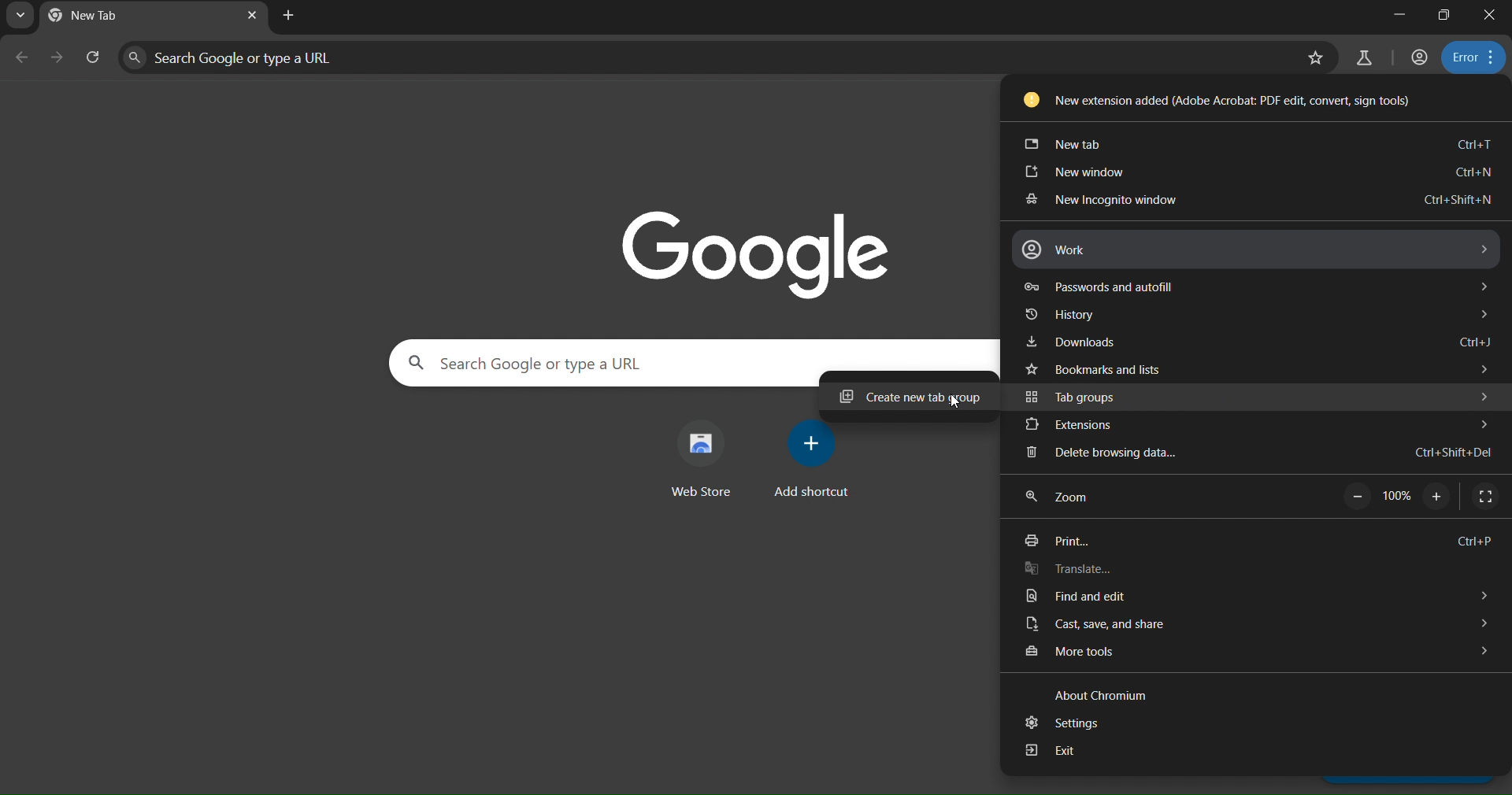  I want to click on tab groups, so click(1262, 397).